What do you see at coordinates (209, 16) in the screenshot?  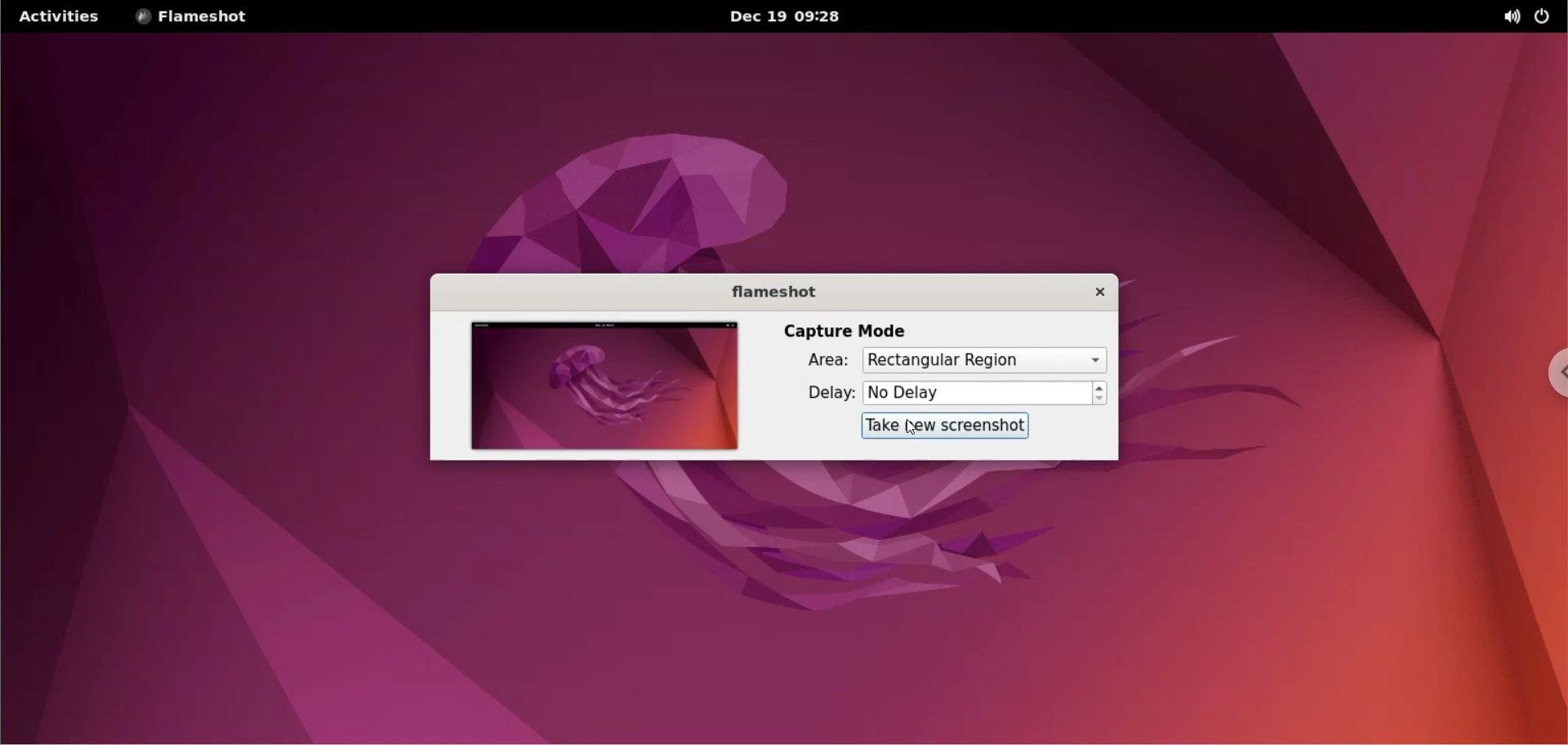 I see `flameshot options` at bounding box center [209, 16].